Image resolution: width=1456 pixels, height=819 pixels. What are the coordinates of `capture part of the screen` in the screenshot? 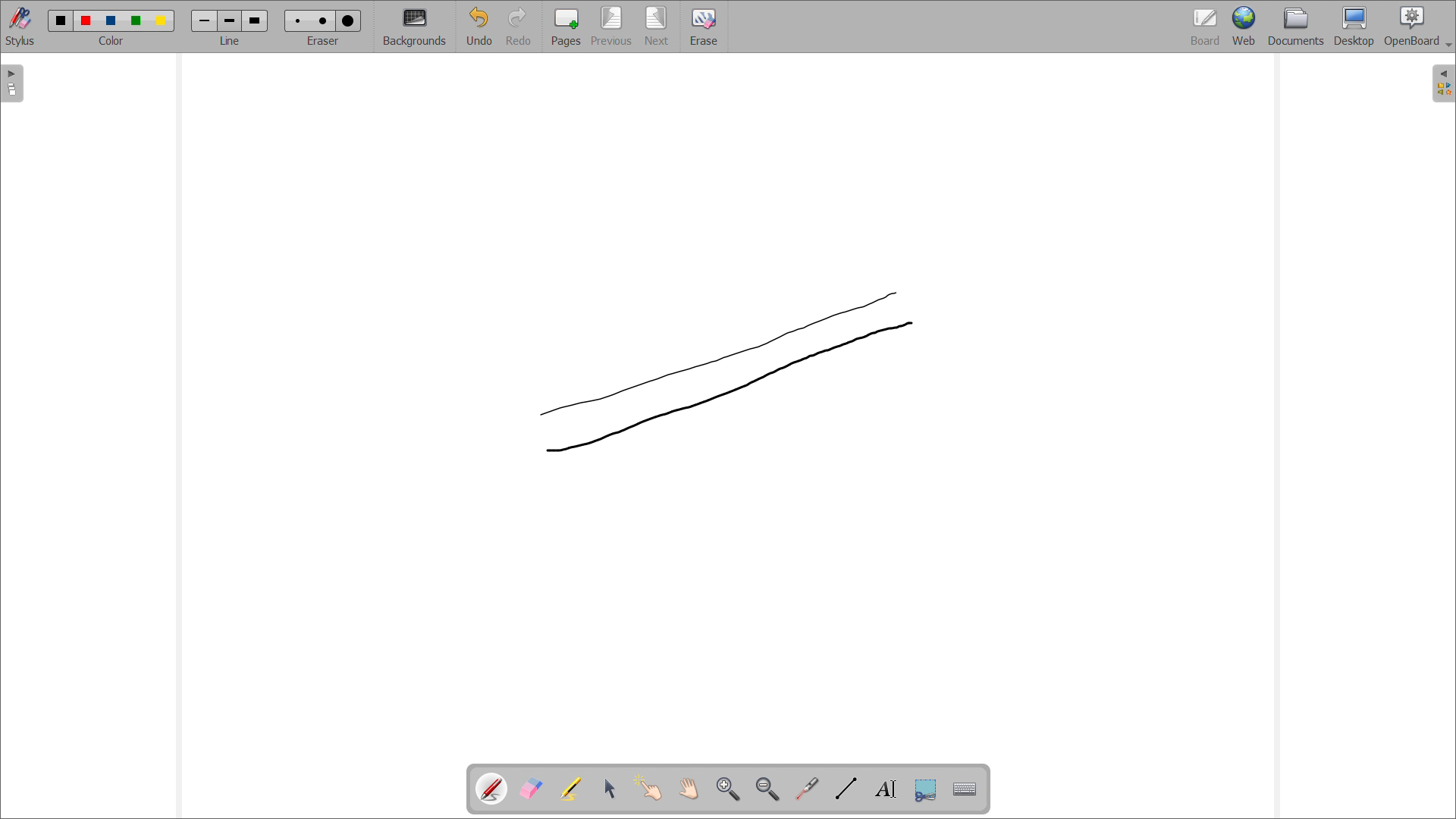 It's located at (926, 789).